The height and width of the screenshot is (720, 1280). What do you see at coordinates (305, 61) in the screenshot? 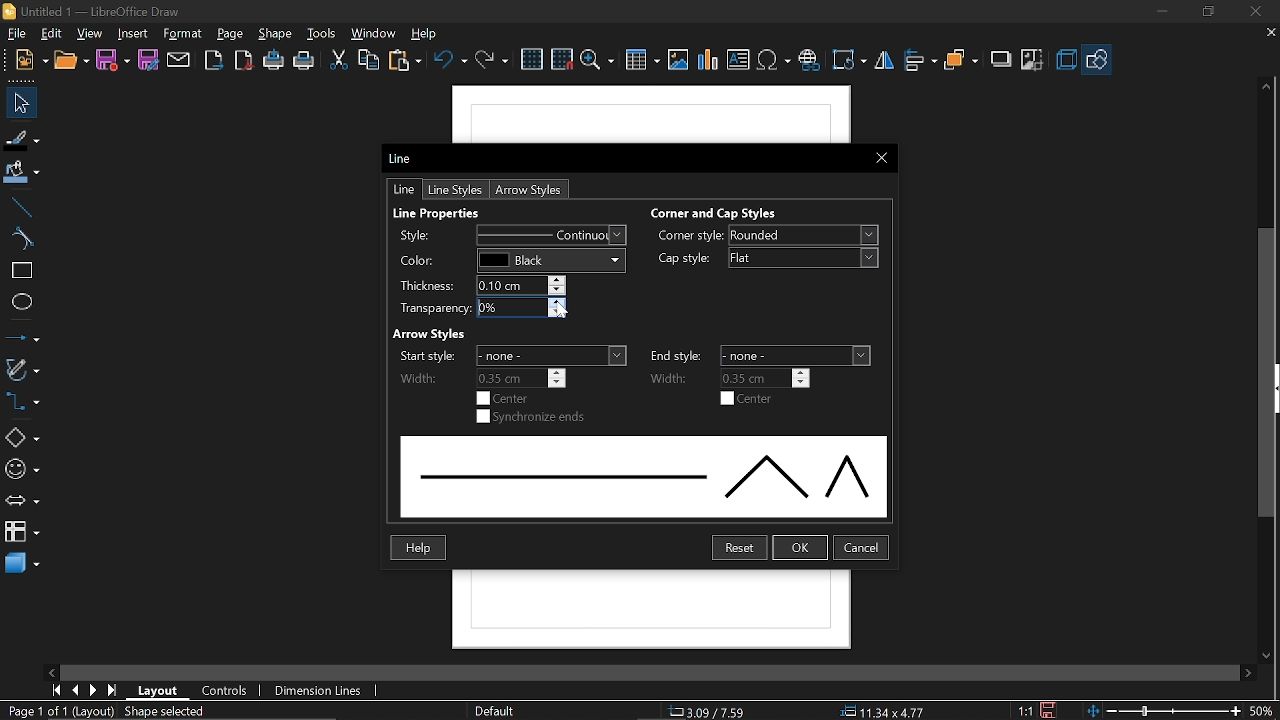
I see `Print` at bounding box center [305, 61].